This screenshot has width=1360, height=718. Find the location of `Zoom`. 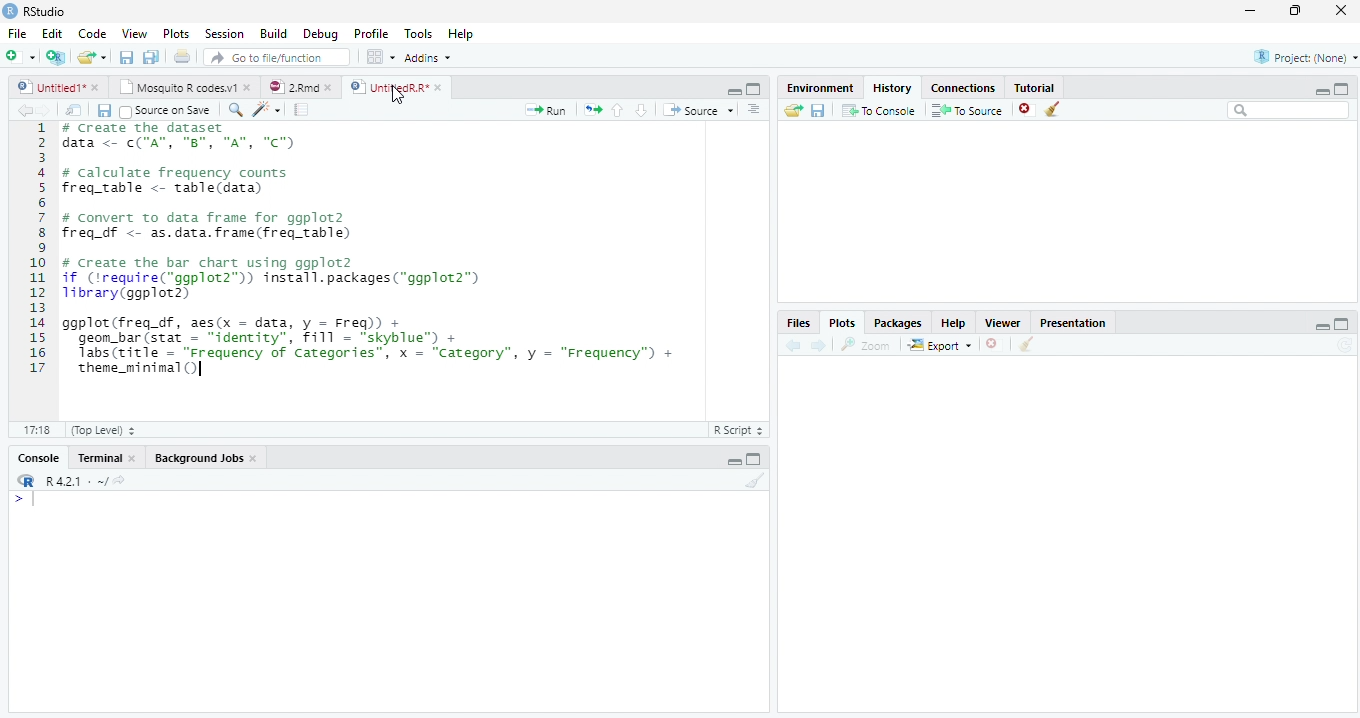

Zoom is located at coordinates (867, 347).